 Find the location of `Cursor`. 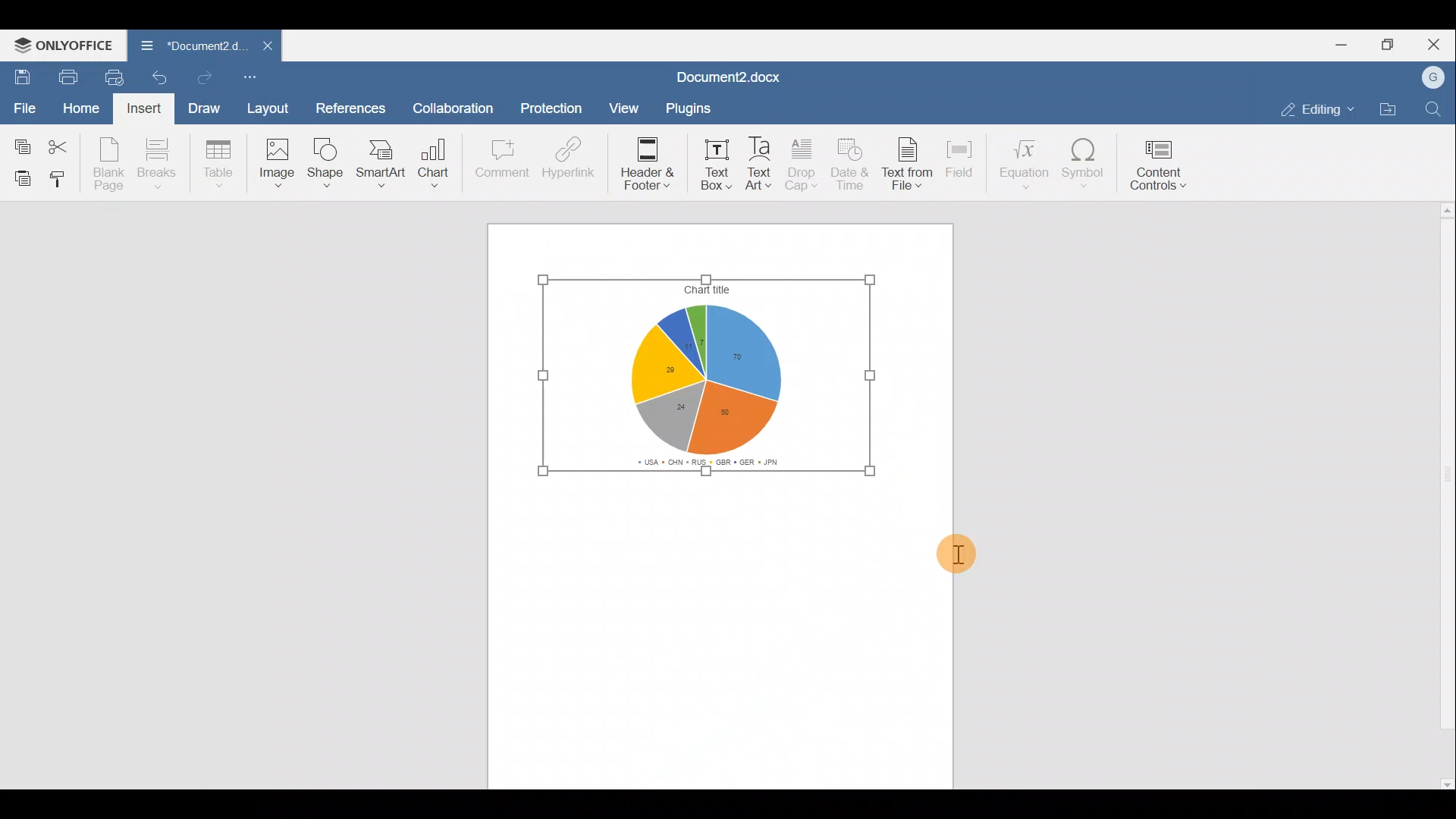

Cursor is located at coordinates (969, 551).